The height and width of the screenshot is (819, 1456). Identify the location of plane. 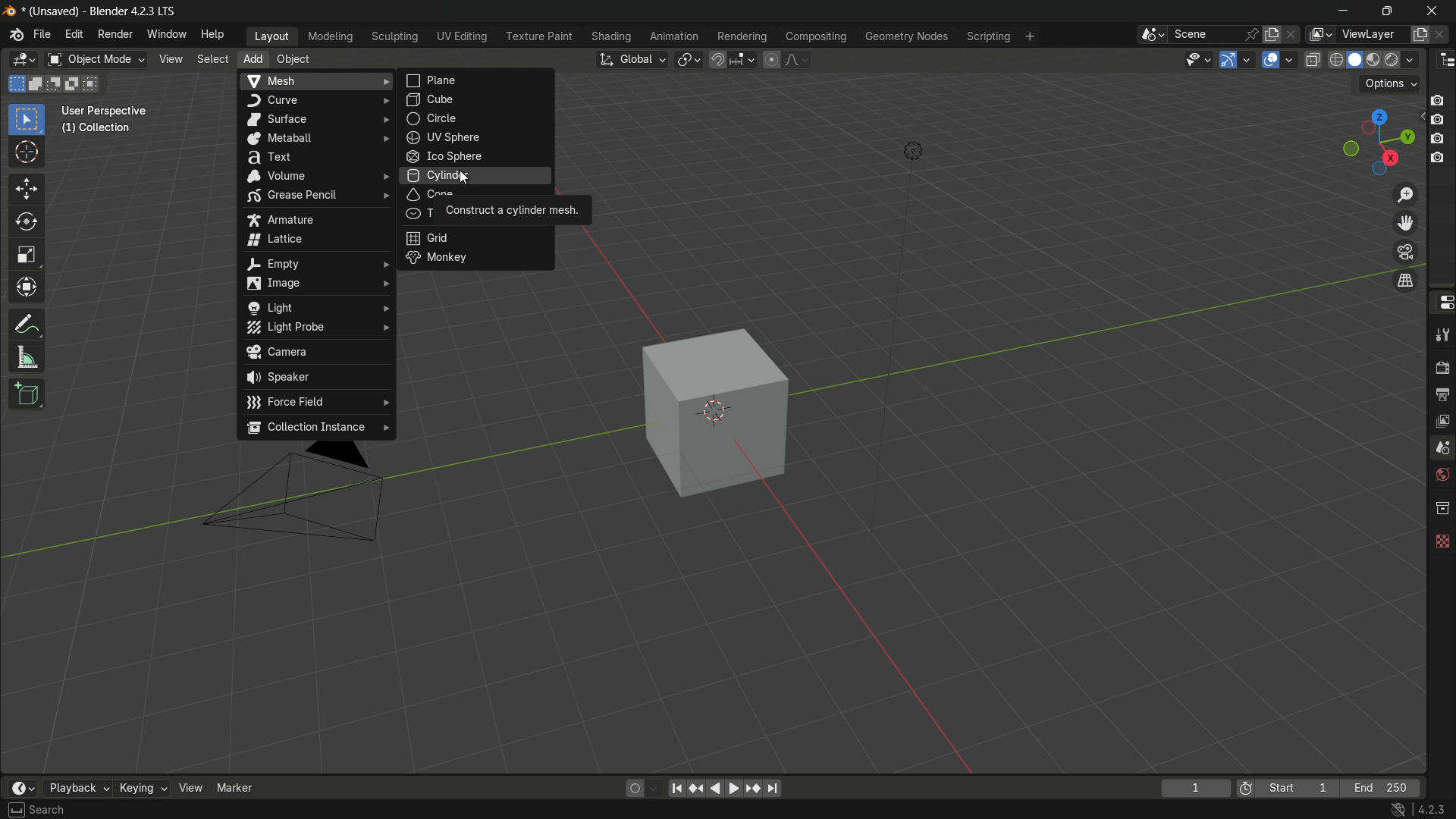
(478, 80).